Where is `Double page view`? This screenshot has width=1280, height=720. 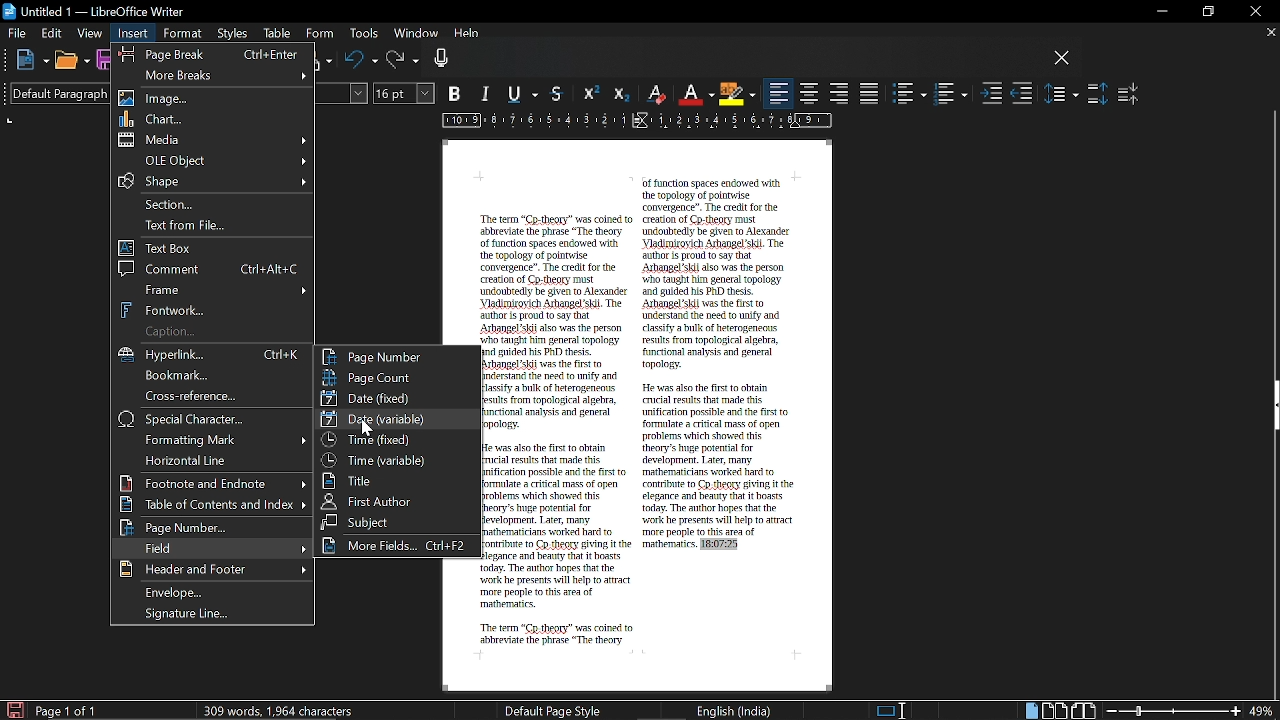 Double page view is located at coordinates (1056, 710).